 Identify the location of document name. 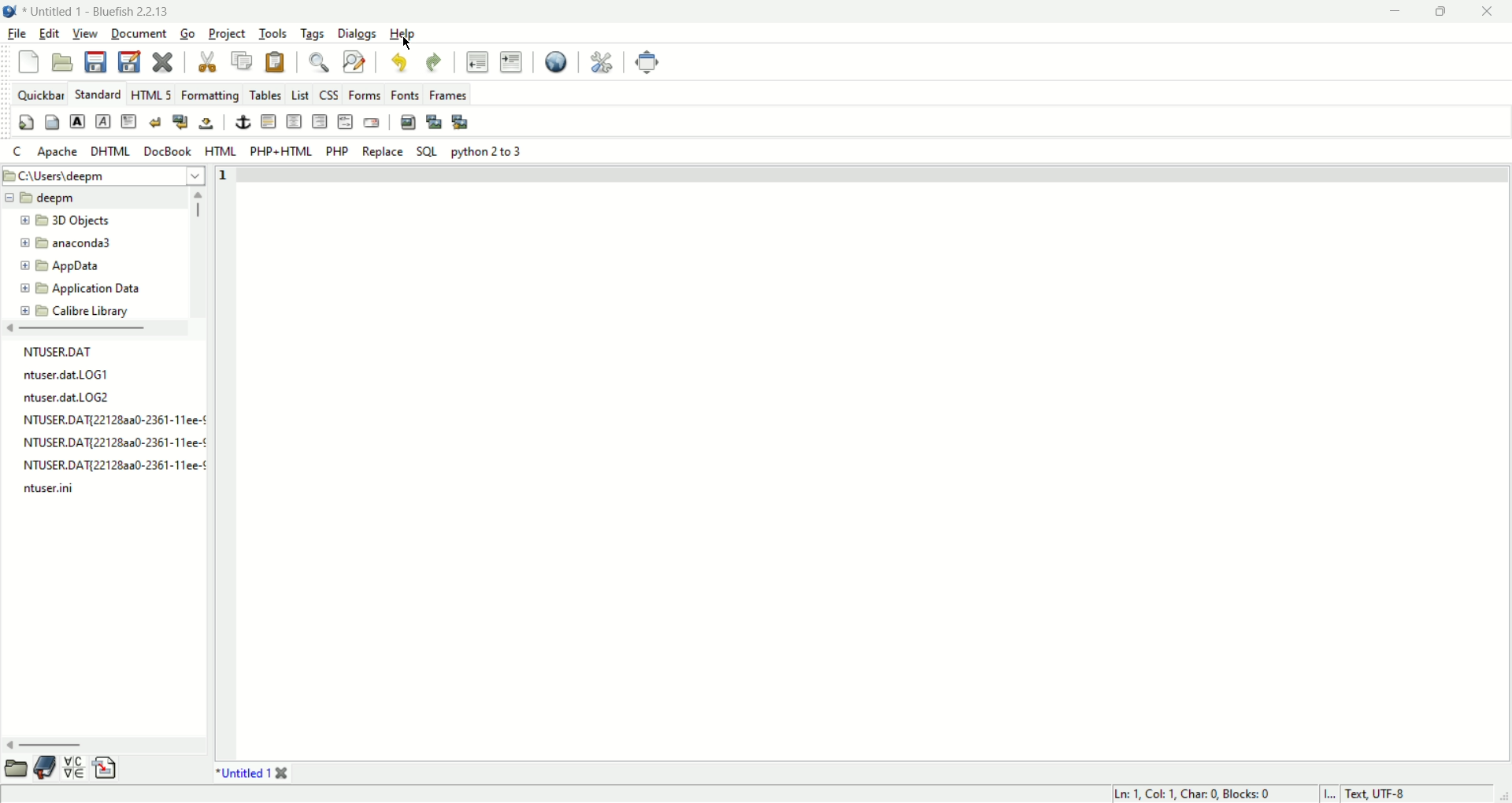
(106, 9).